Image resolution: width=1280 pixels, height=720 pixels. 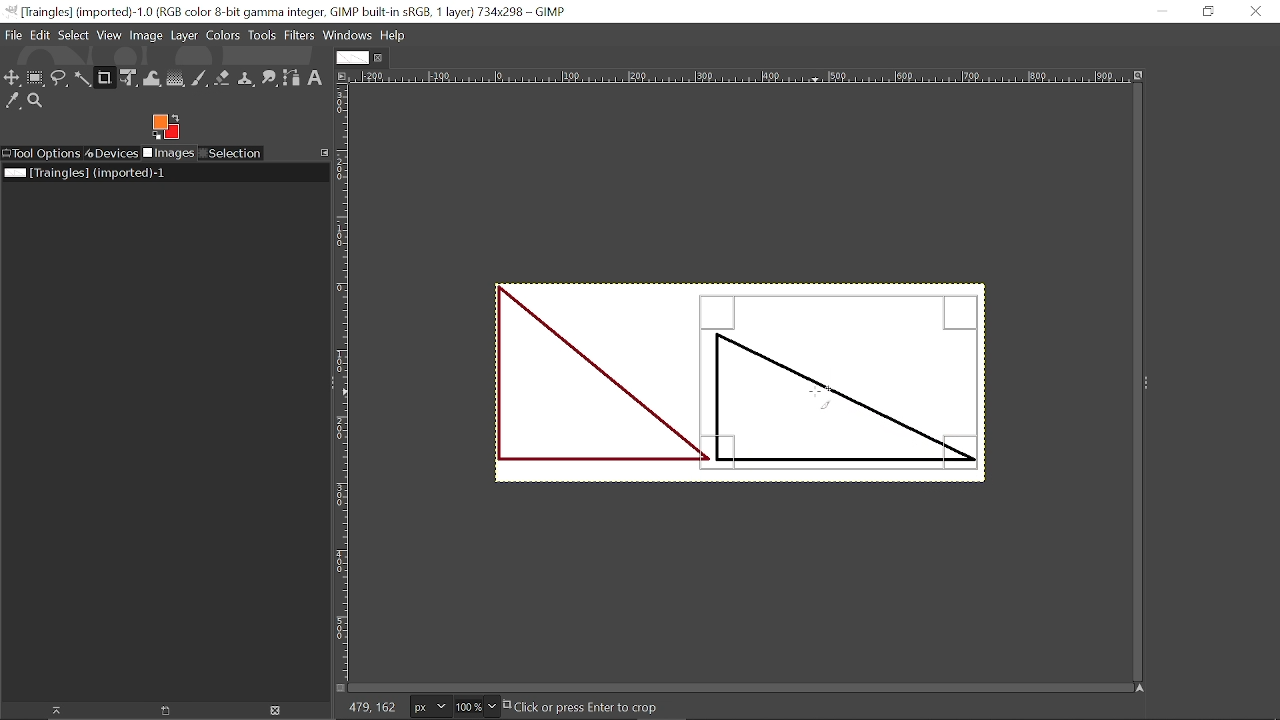 I want to click on Text tool, so click(x=315, y=79).